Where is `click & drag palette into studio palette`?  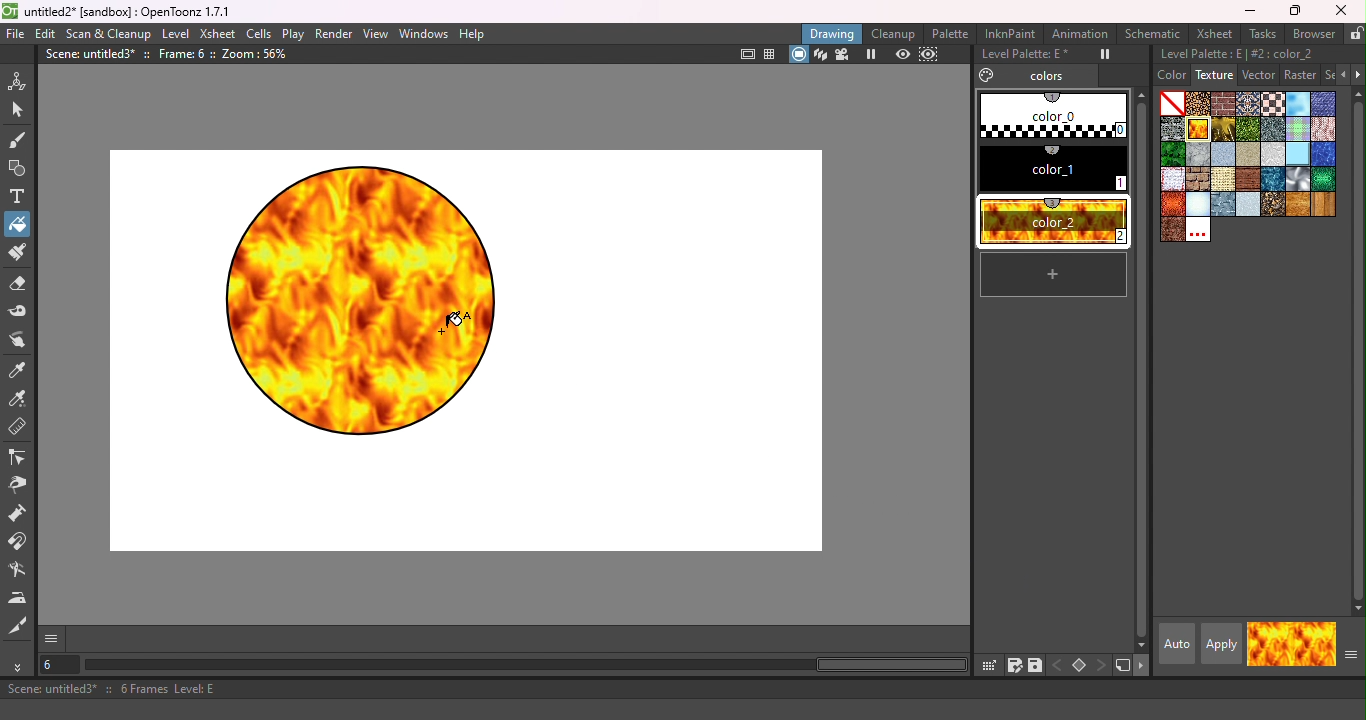
click & drag palette into studio palette is located at coordinates (988, 665).